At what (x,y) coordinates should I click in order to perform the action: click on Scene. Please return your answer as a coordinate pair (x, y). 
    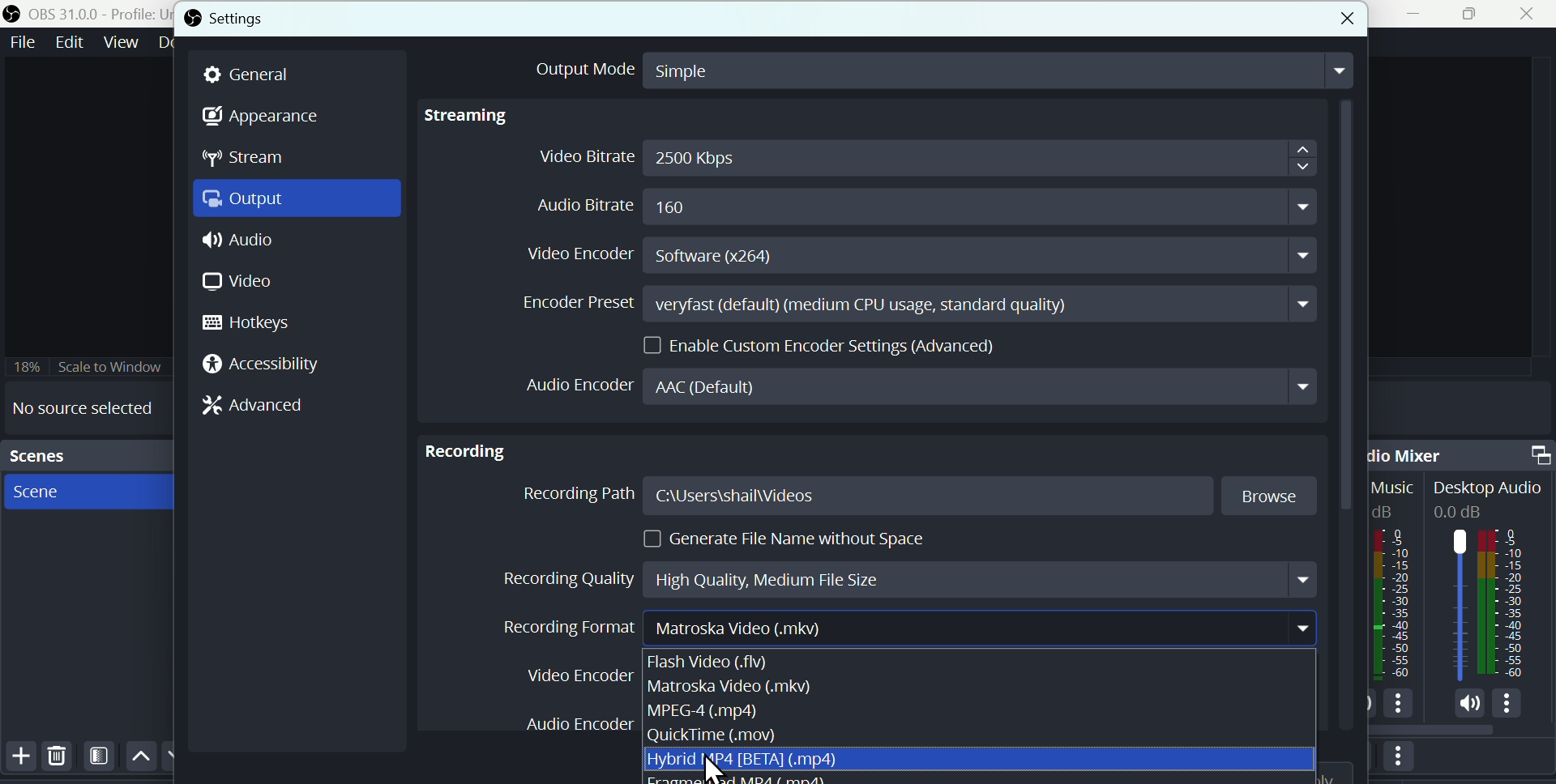
    Looking at the image, I should click on (35, 492).